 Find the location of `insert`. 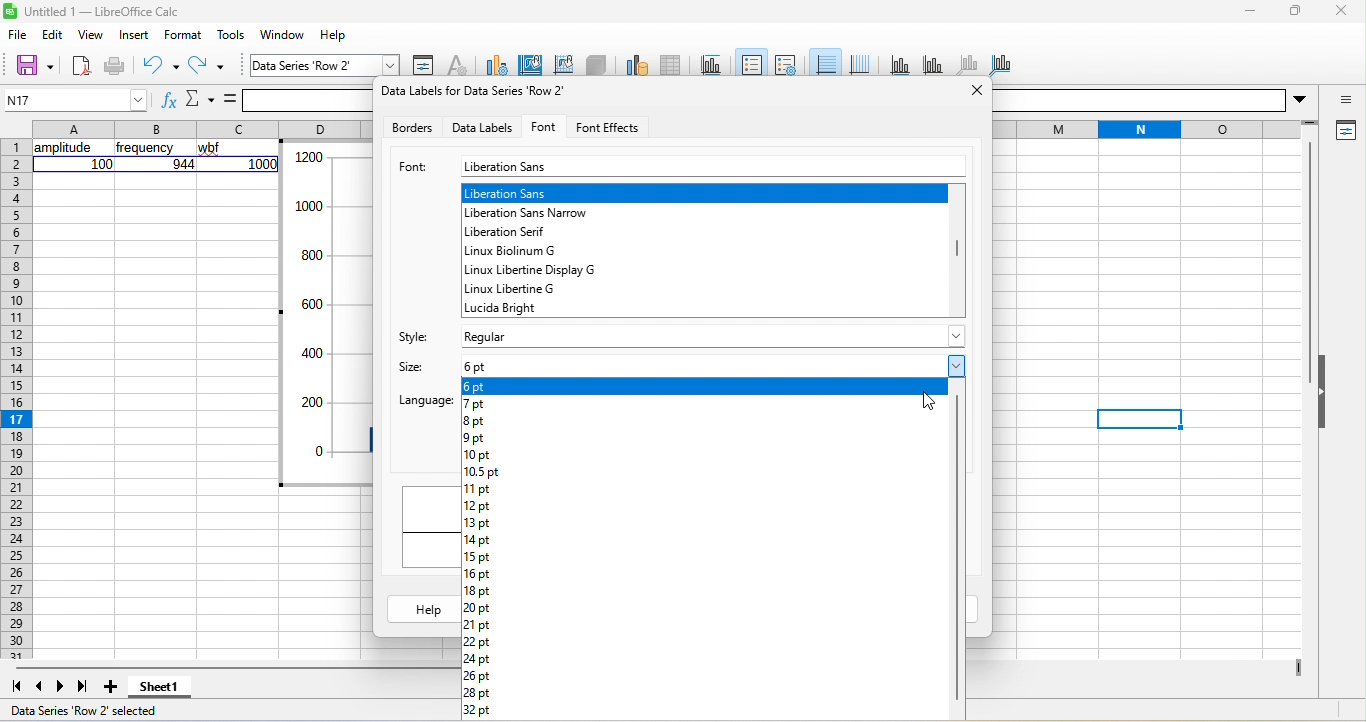

insert is located at coordinates (135, 33).